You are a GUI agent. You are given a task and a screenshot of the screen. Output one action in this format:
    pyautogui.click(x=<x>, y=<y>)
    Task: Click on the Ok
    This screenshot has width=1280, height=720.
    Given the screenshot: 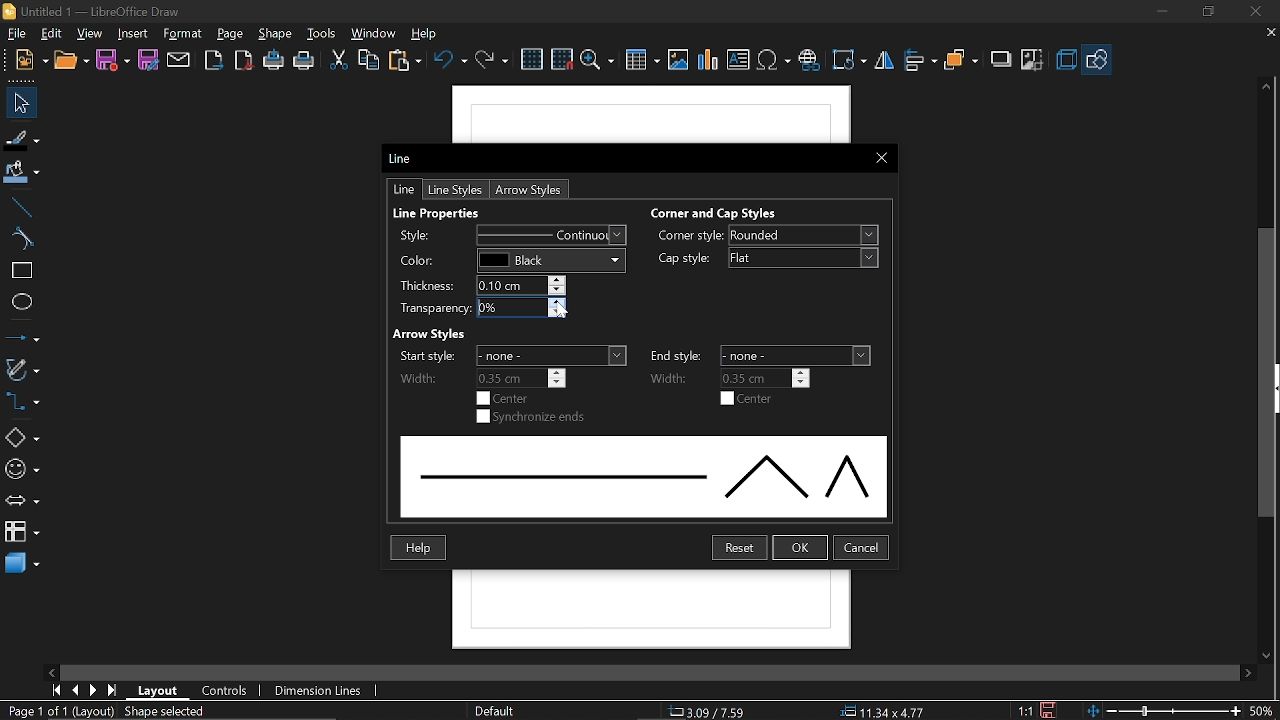 What is the action you would take?
    pyautogui.click(x=800, y=548)
    